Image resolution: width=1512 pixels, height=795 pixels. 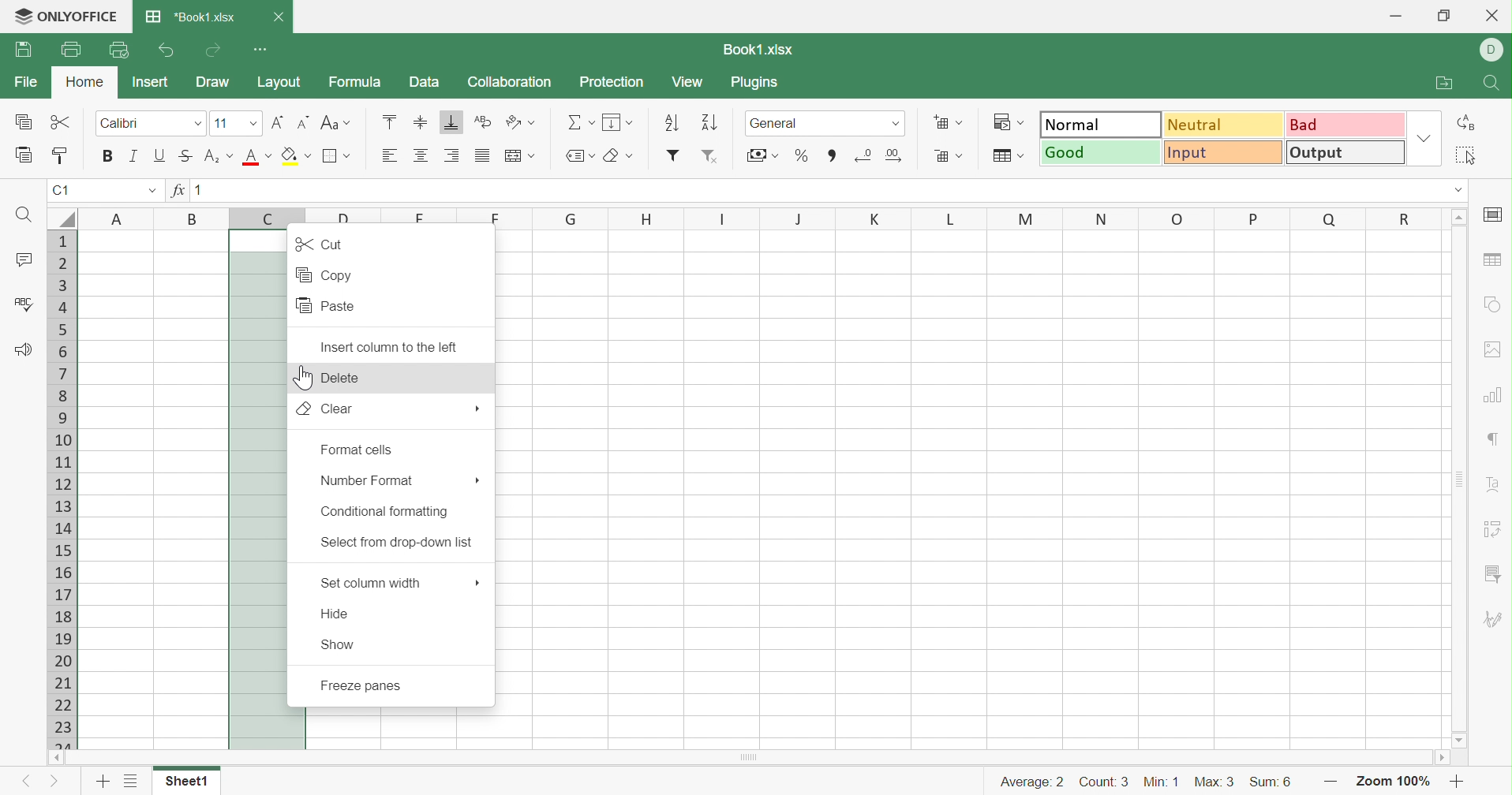 I want to click on Cut, so click(x=61, y=123).